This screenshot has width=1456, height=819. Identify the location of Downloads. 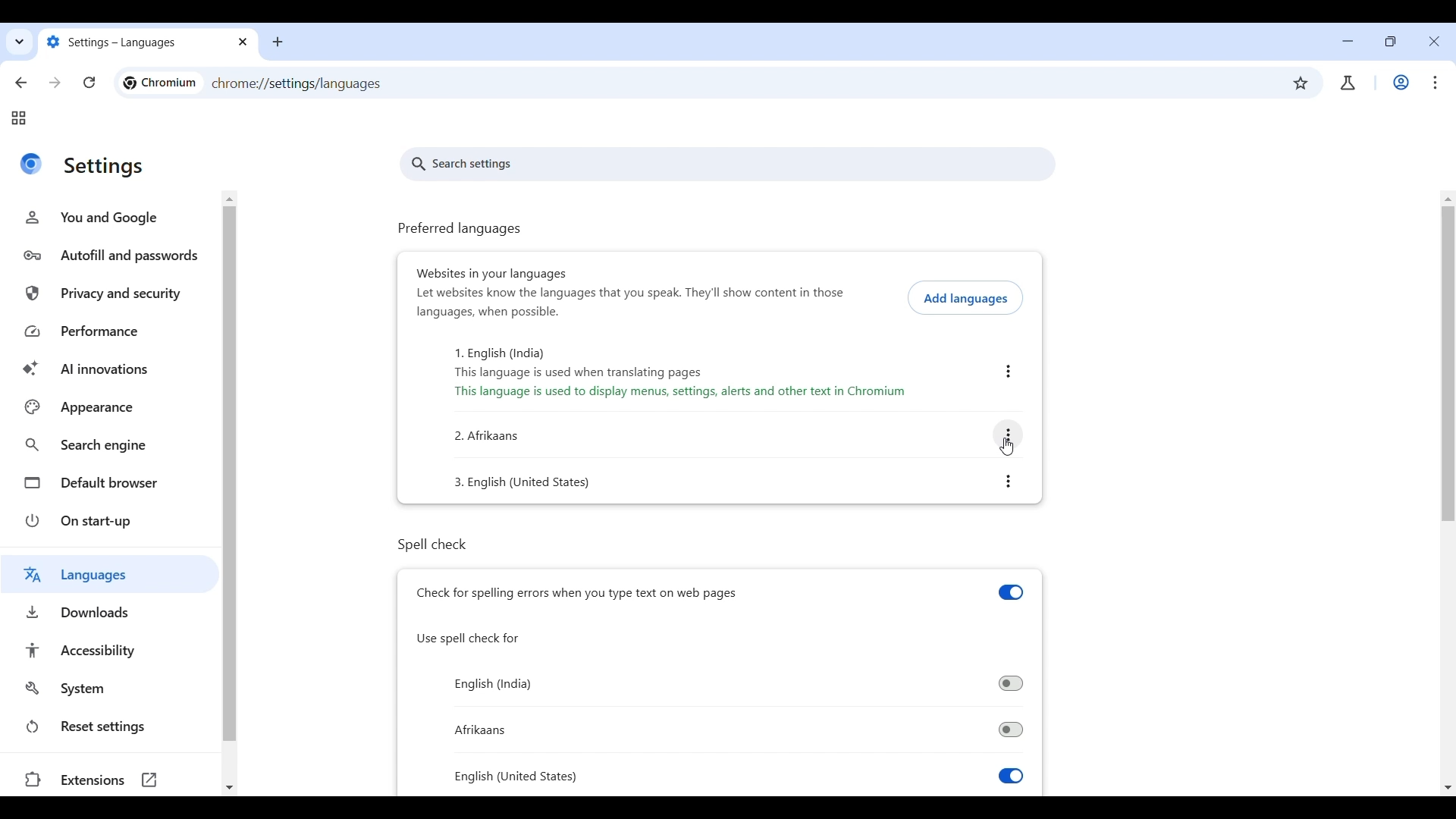
(109, 612).